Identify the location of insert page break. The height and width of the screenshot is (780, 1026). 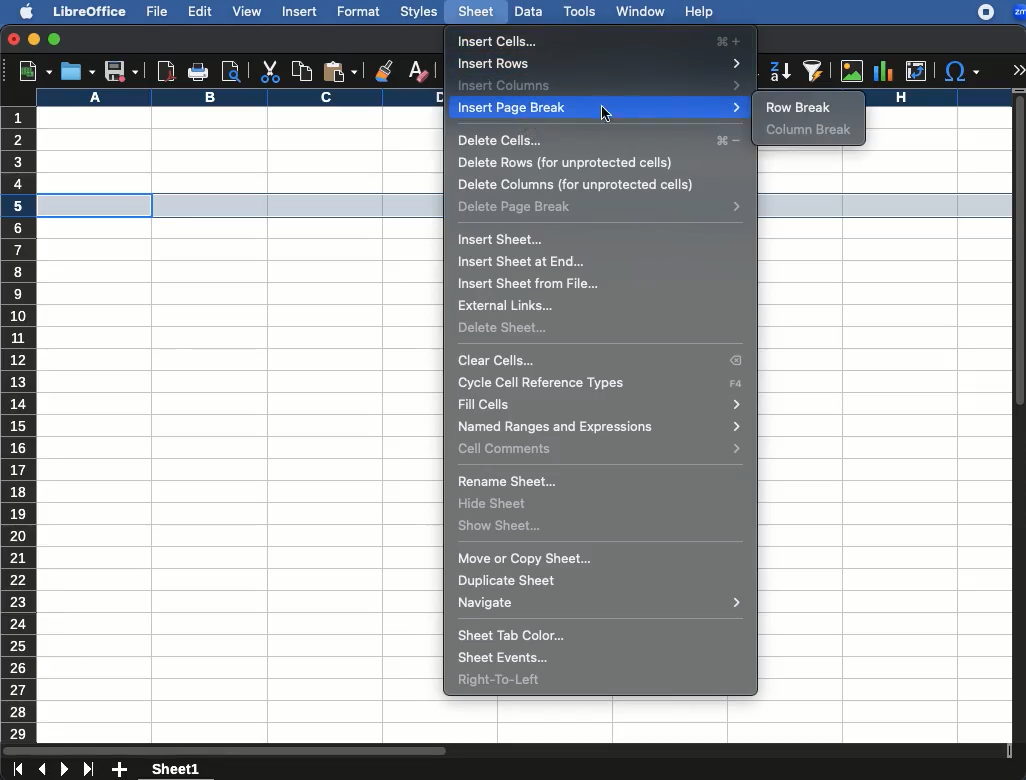
(523, 110).